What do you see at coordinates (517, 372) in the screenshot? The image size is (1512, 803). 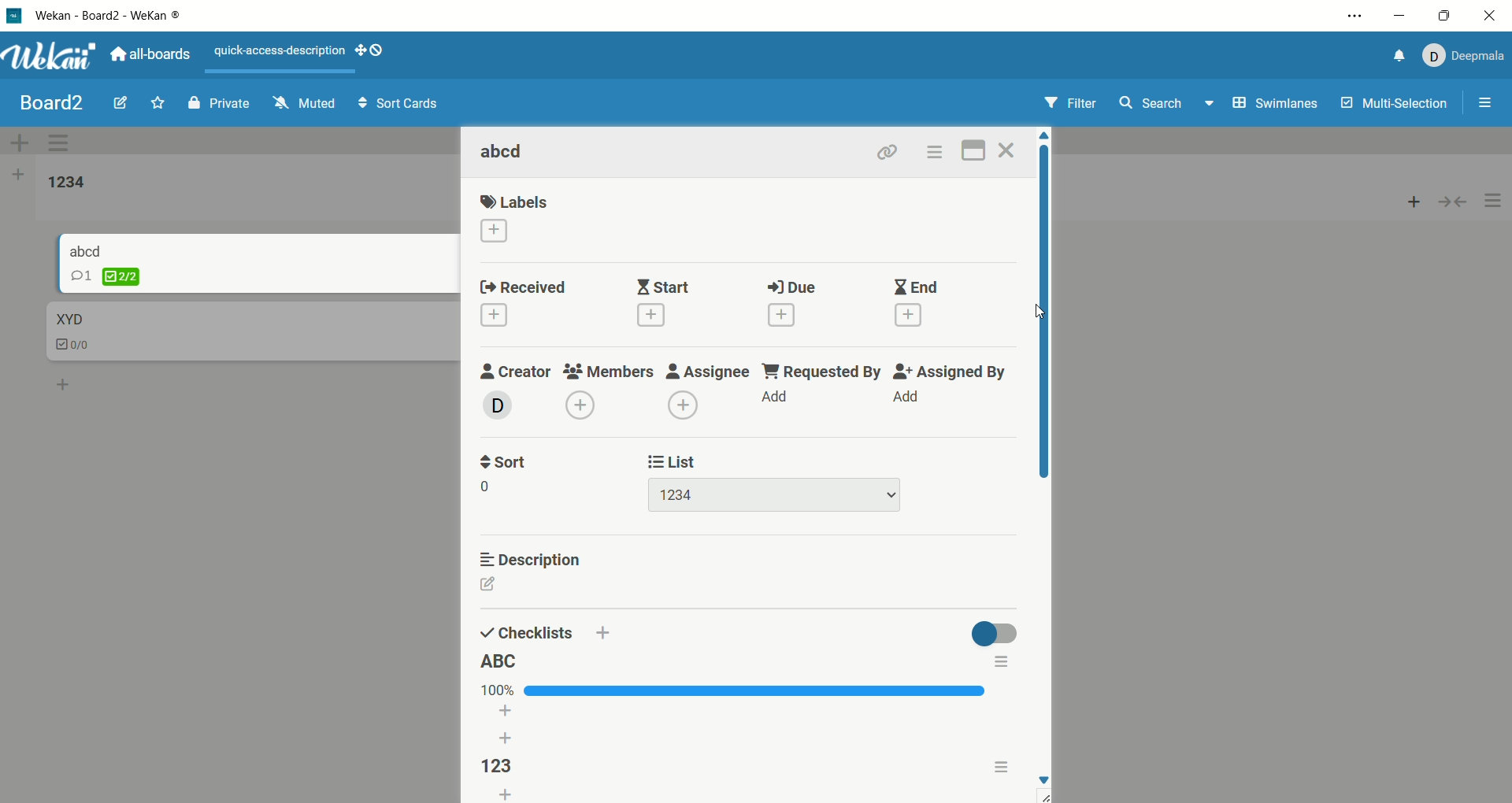 I see `creator` at bounding box center [517, 372].